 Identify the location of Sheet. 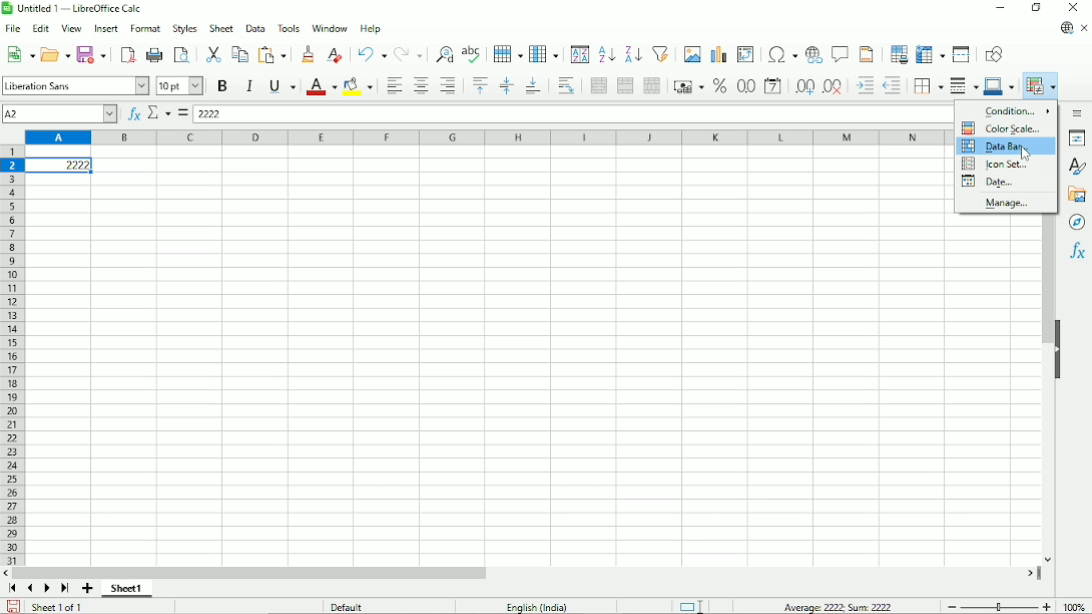
(221, 28).